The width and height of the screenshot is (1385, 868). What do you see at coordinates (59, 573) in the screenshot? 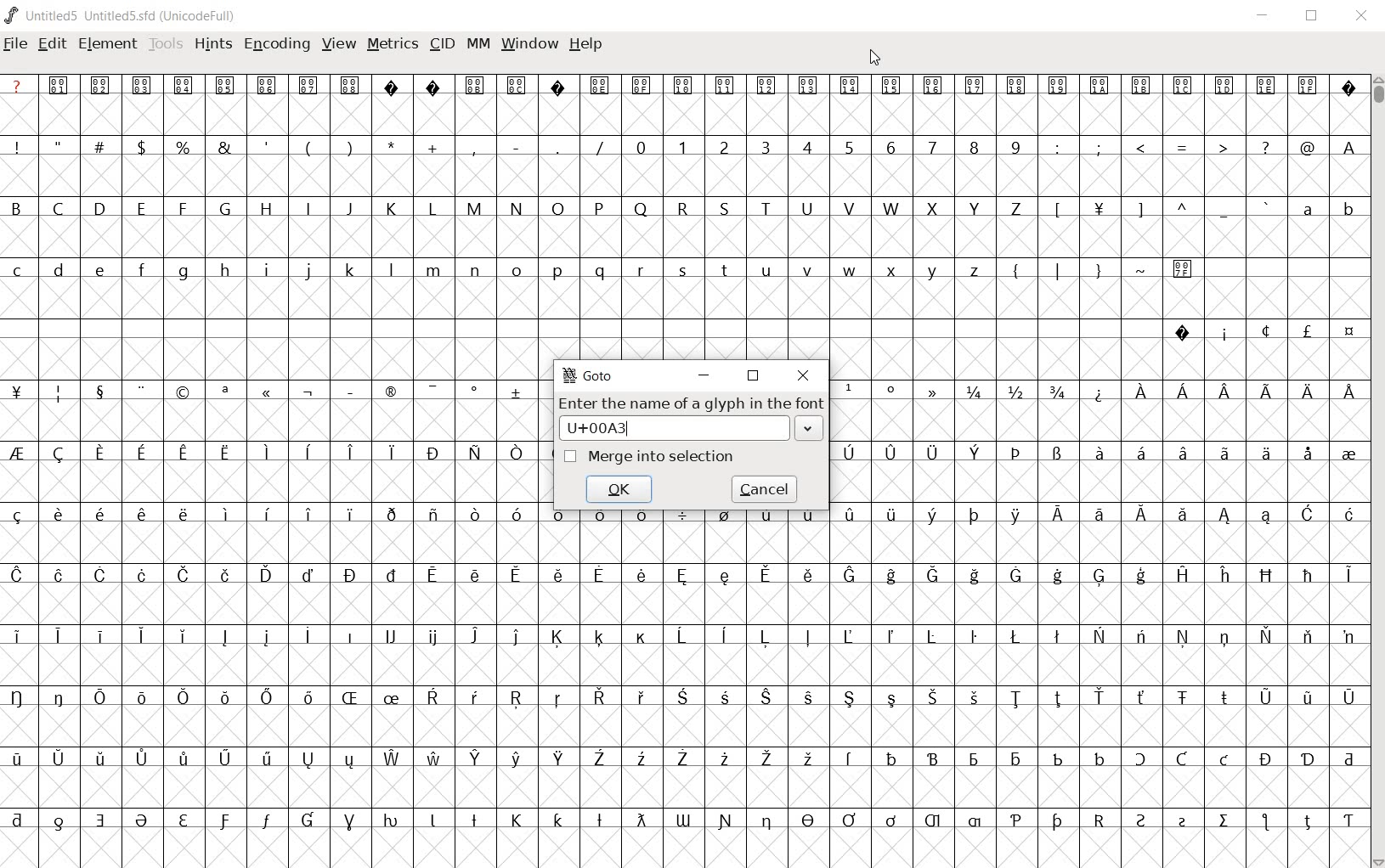
I see `Symbol` at bounding box center [59, 573].